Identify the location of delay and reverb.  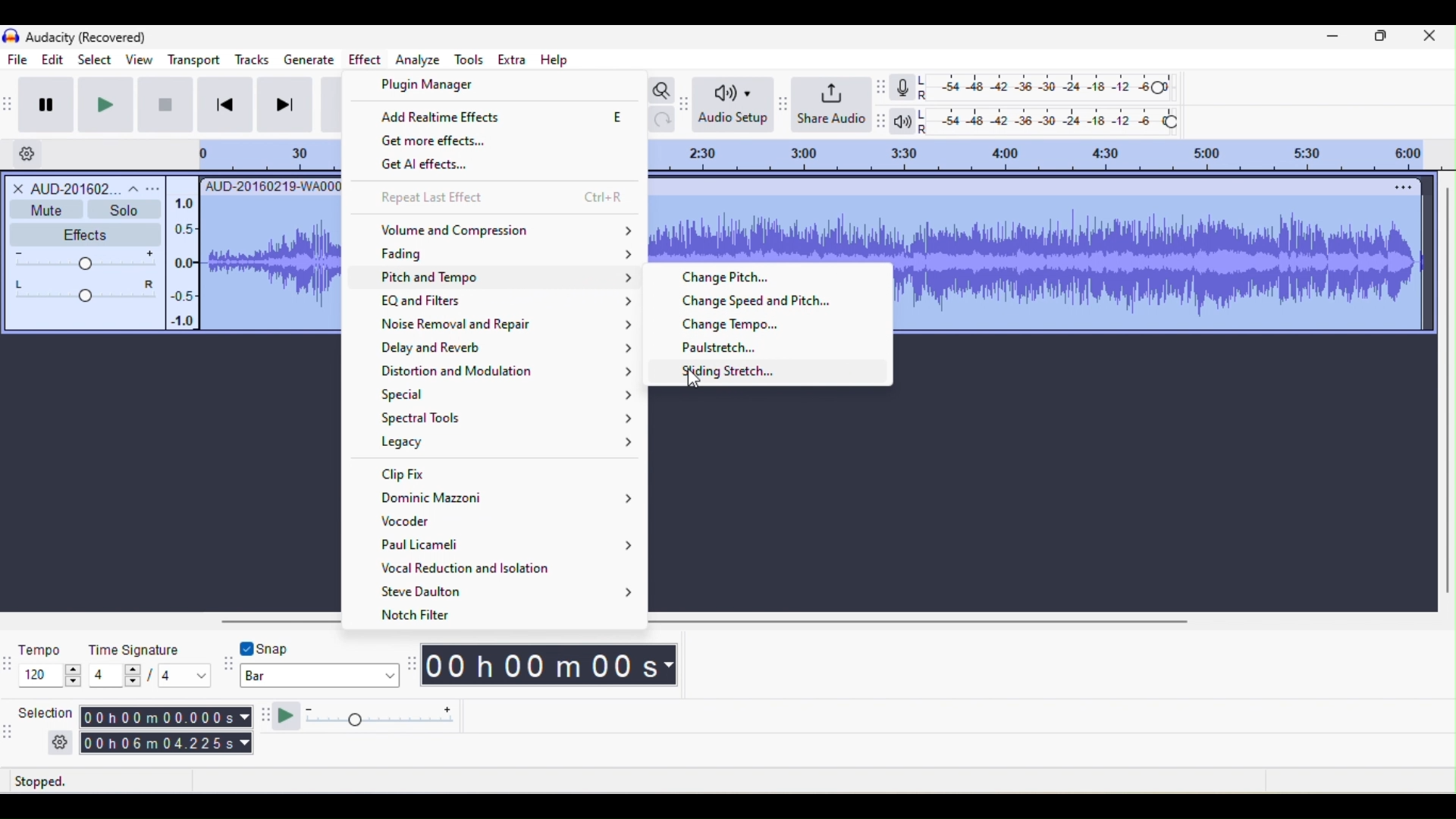
(509, 349).